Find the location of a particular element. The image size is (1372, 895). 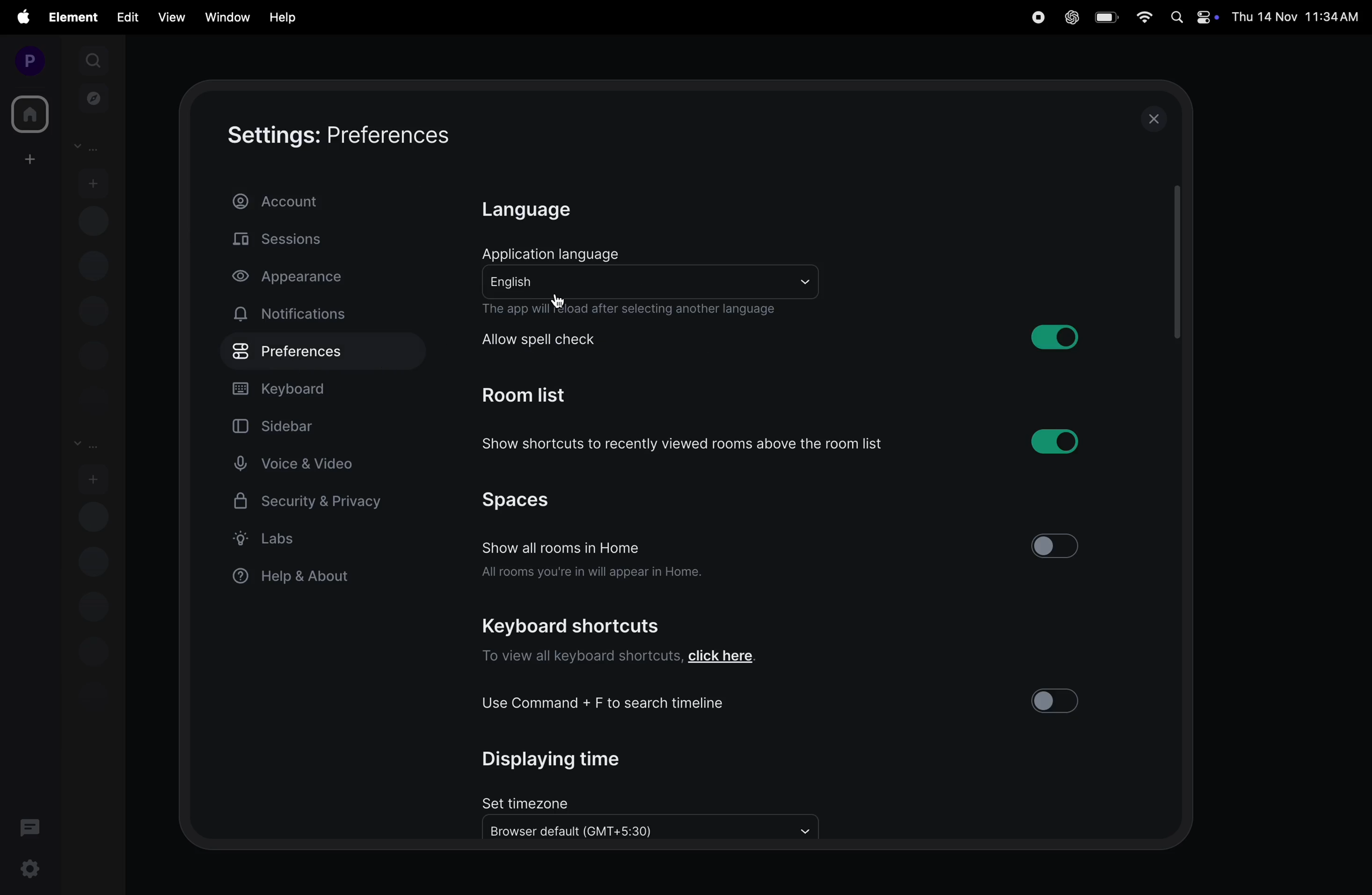

add is located at coordinates (94, 479).